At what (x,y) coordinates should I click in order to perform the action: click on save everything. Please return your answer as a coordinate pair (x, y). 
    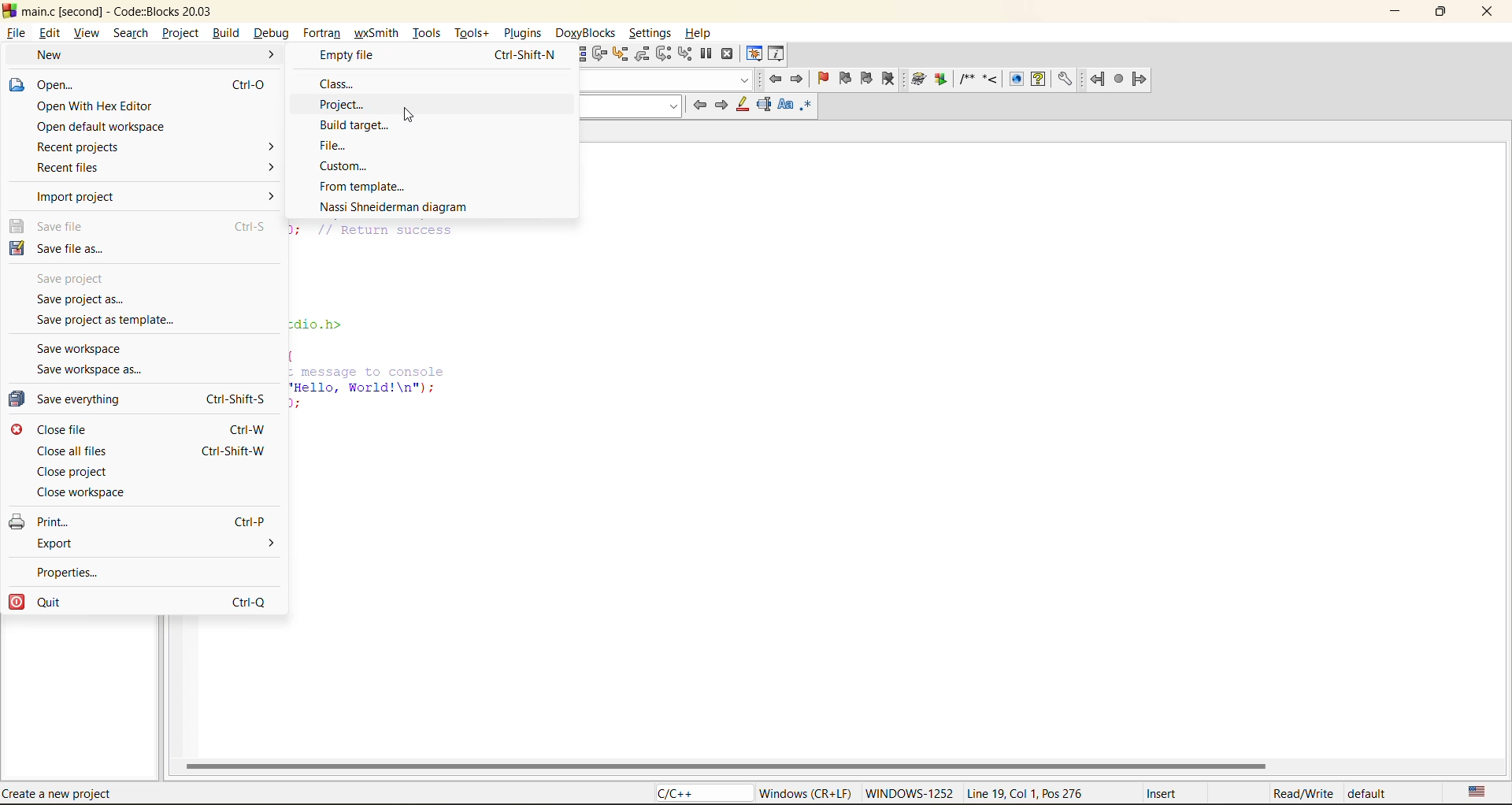
    Looking at the image, I should click on (75, 400).